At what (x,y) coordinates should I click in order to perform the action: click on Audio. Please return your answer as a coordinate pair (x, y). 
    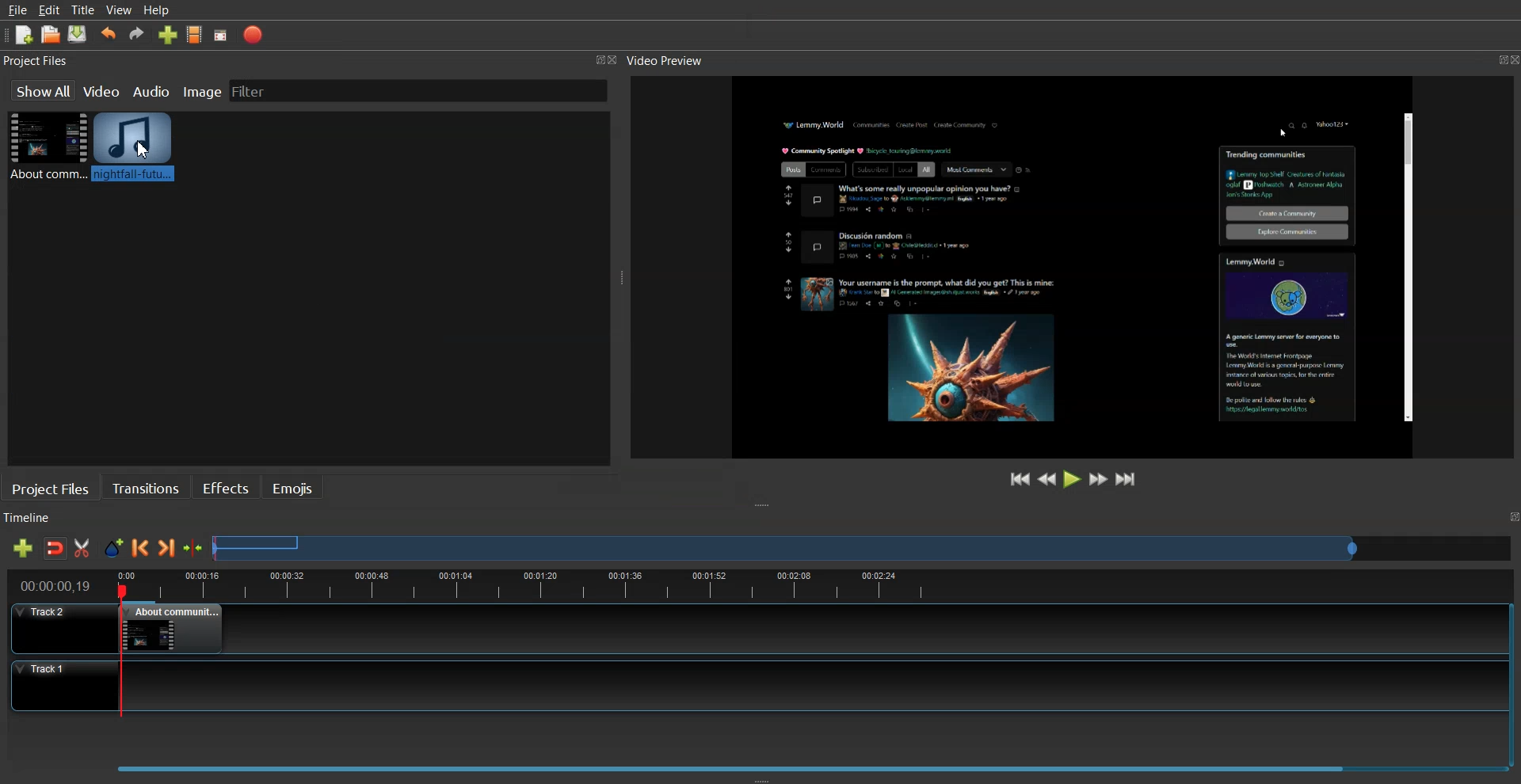
    Looking at the image, I should click on (153, 90).